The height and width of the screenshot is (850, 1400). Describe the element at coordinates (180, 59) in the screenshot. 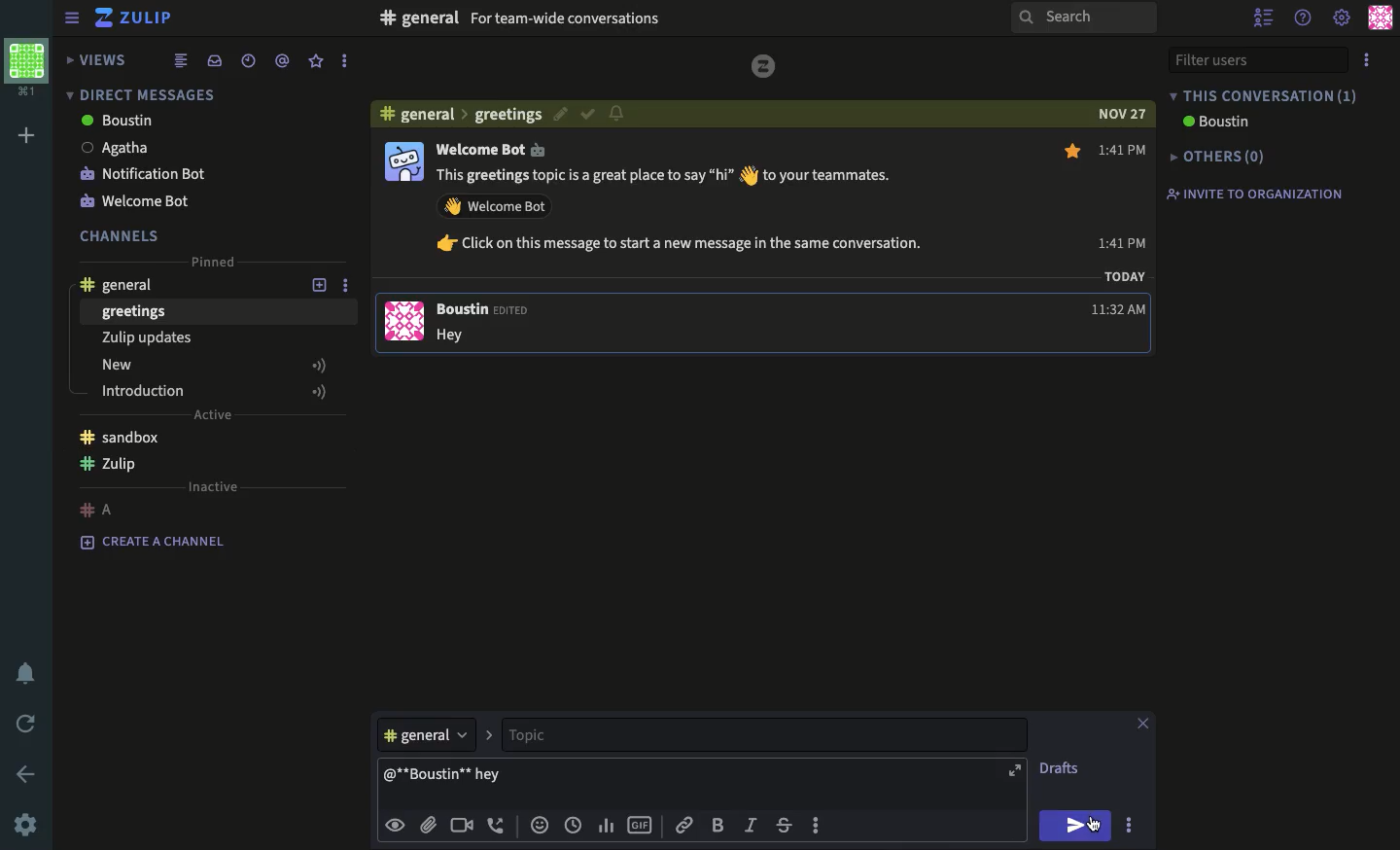

I see `list view` at that location.